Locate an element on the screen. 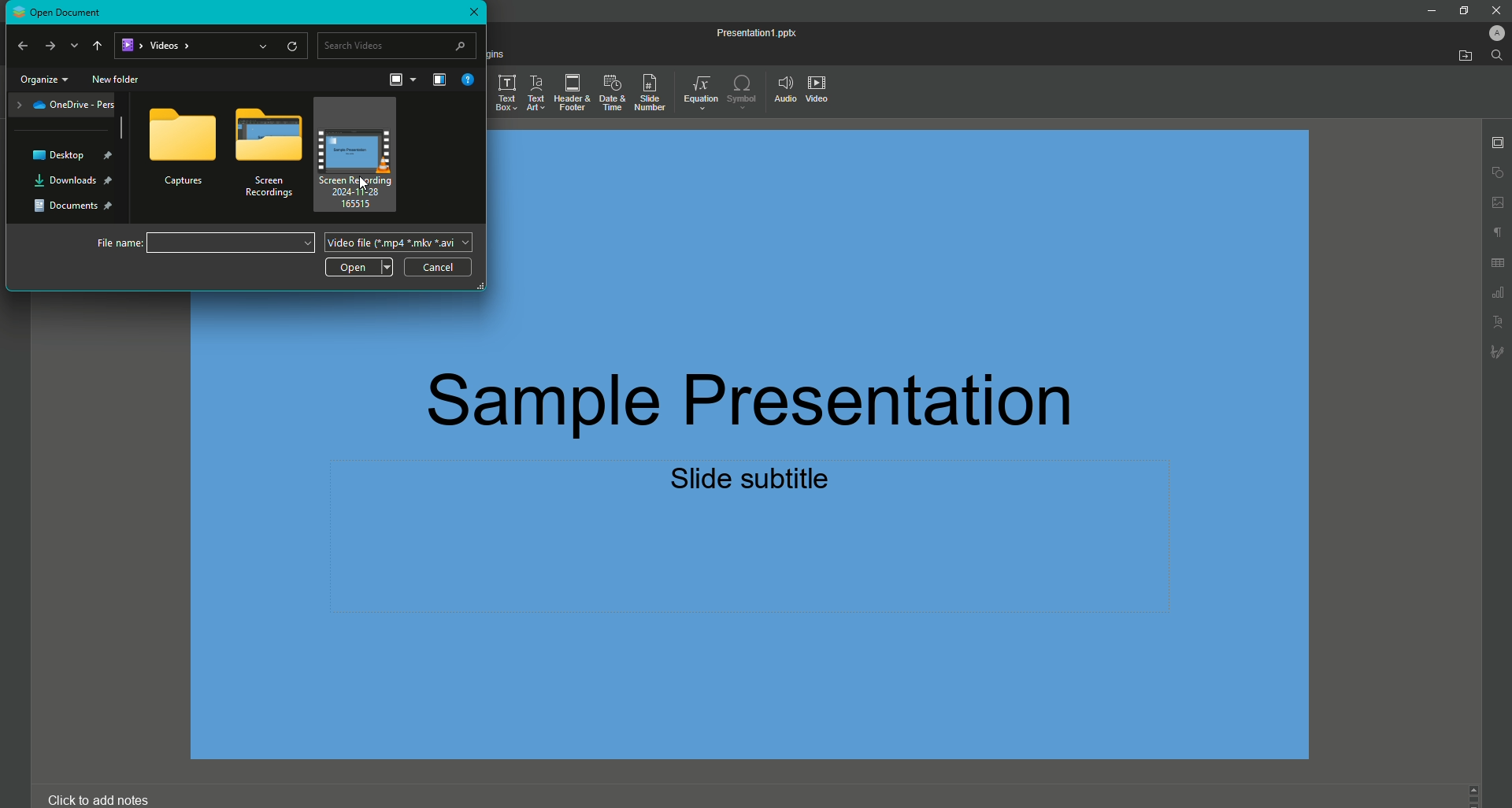 Image resolution: width=1512 pixels, height=808 pixels. Video file type is located at coordinates (399, 242).